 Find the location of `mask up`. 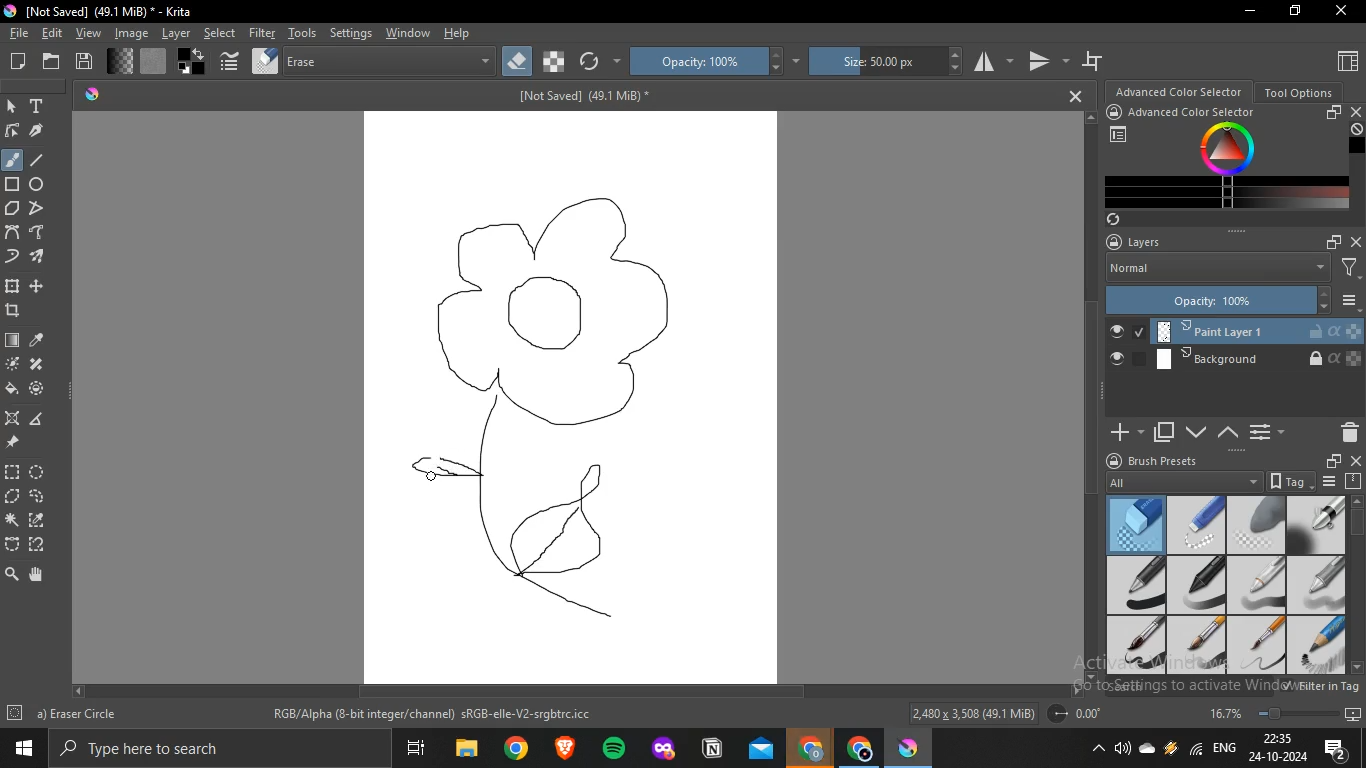

mask up is located at coordinates (1229, 433).